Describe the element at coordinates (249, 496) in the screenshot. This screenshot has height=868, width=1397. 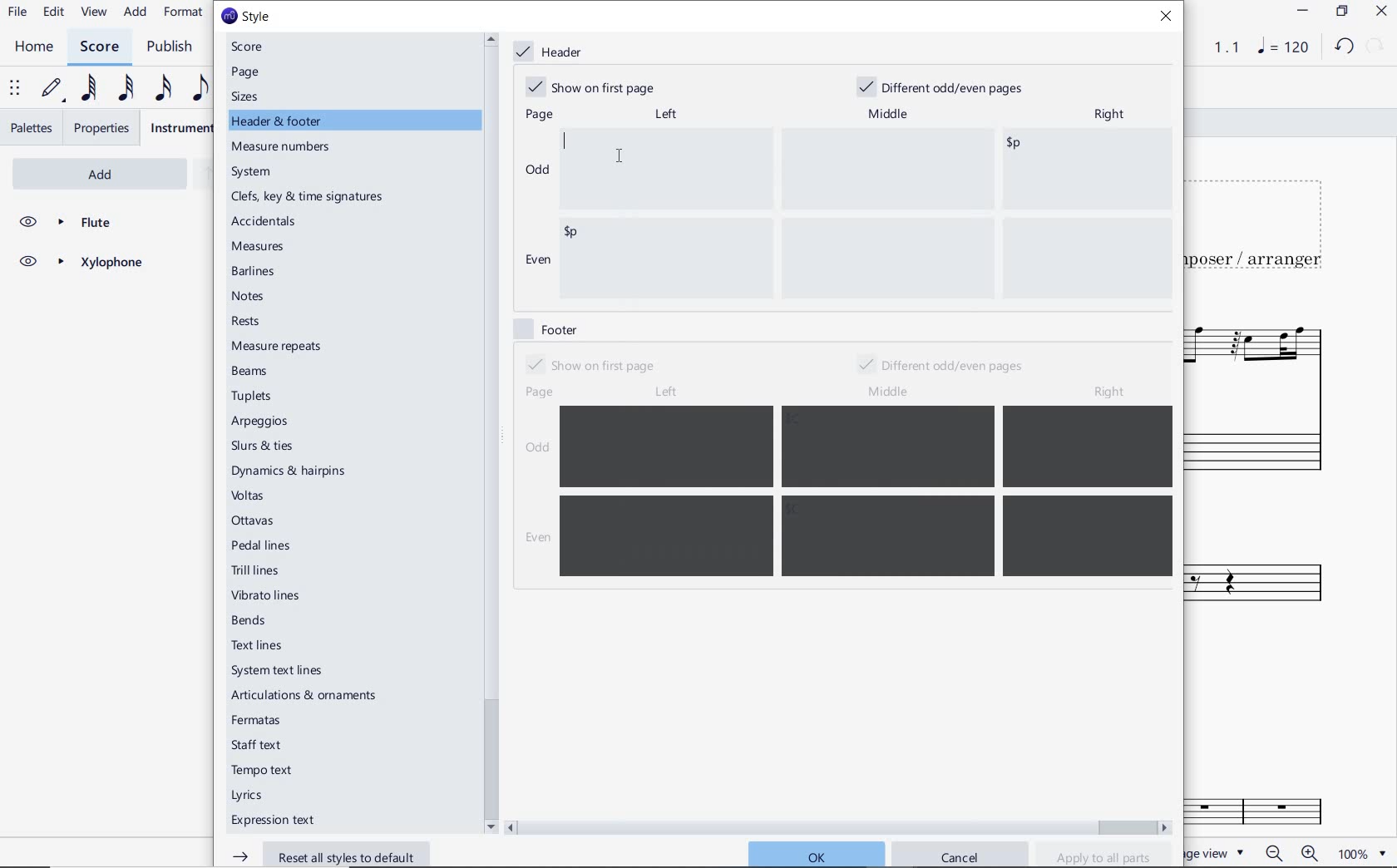
I see `voltas` at that location.